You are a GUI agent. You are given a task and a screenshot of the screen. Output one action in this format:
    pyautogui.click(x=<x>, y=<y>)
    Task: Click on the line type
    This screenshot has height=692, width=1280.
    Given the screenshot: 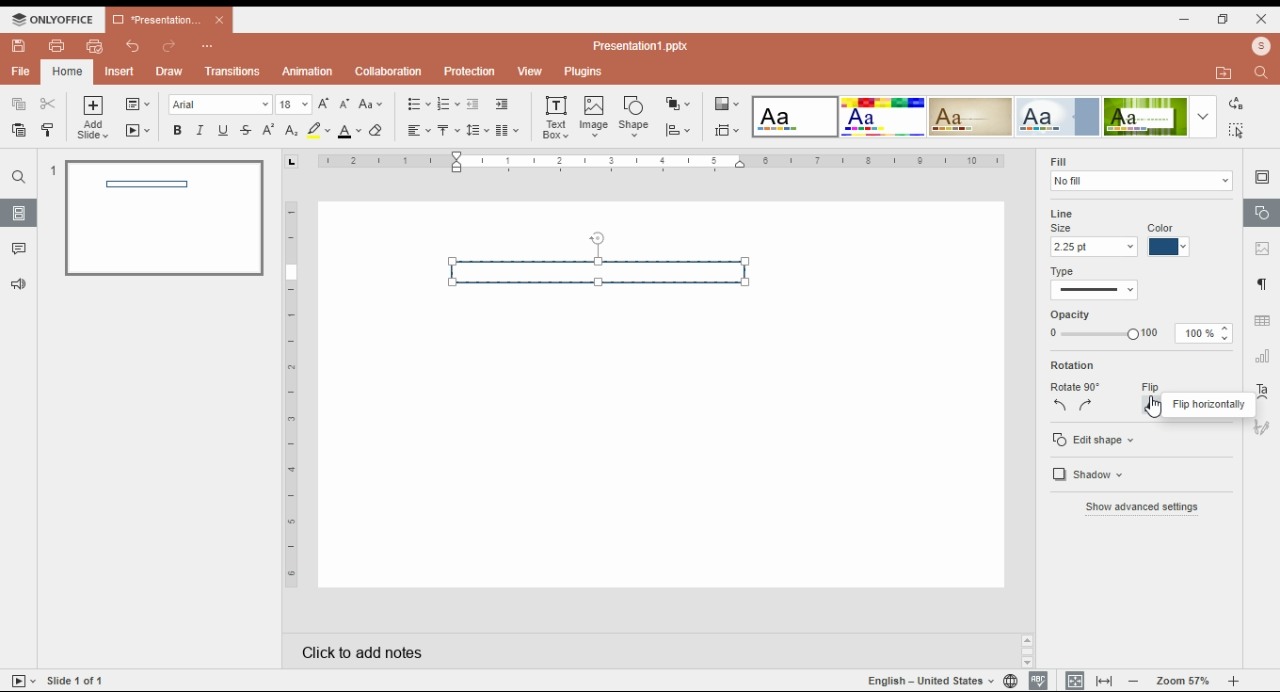 What is the action you would take?
    pyautogui.click(x=1095, y=290)
    